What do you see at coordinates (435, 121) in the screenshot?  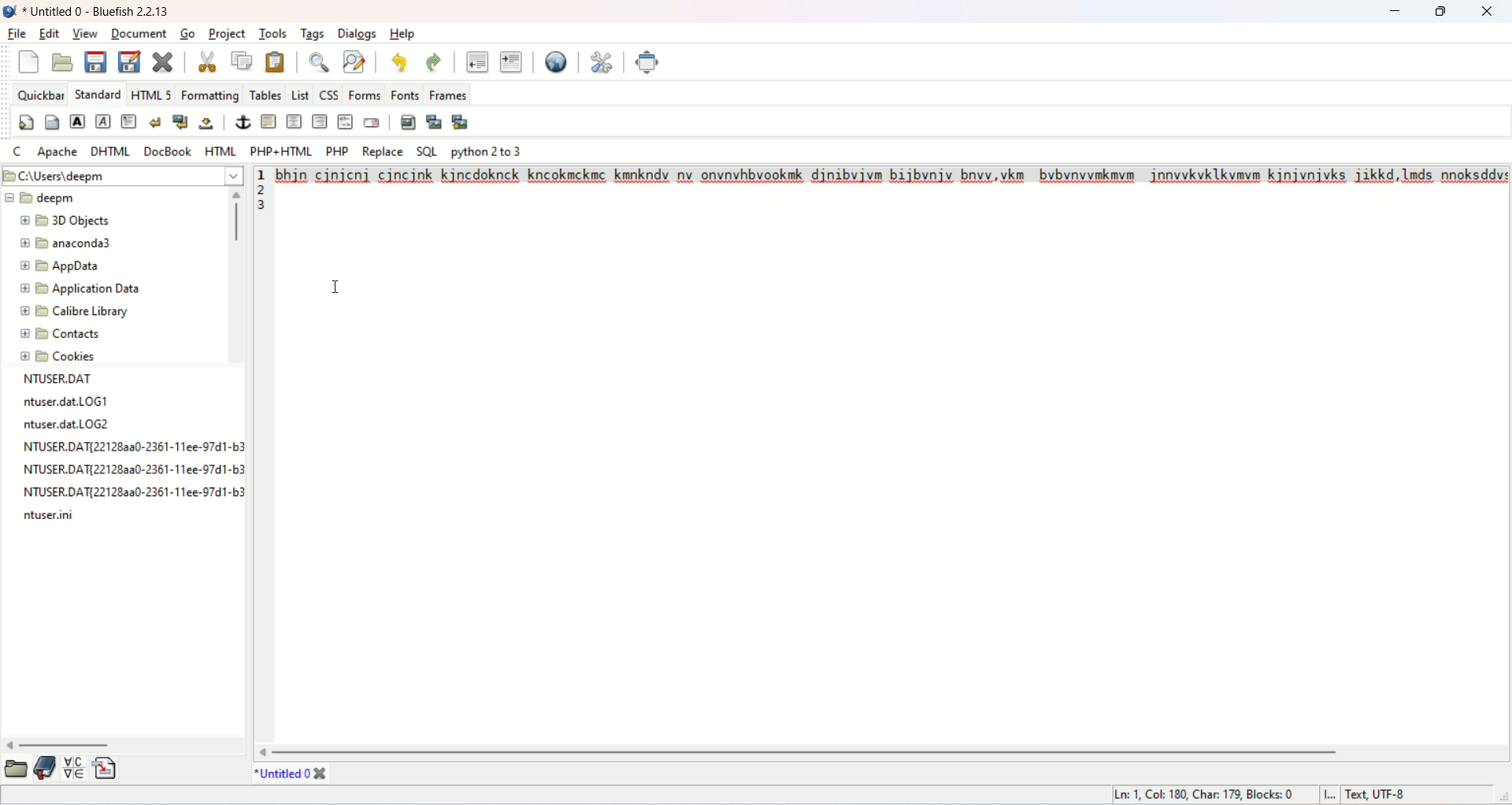 I see `insert thumbnail` at bounding box center [435, 121].